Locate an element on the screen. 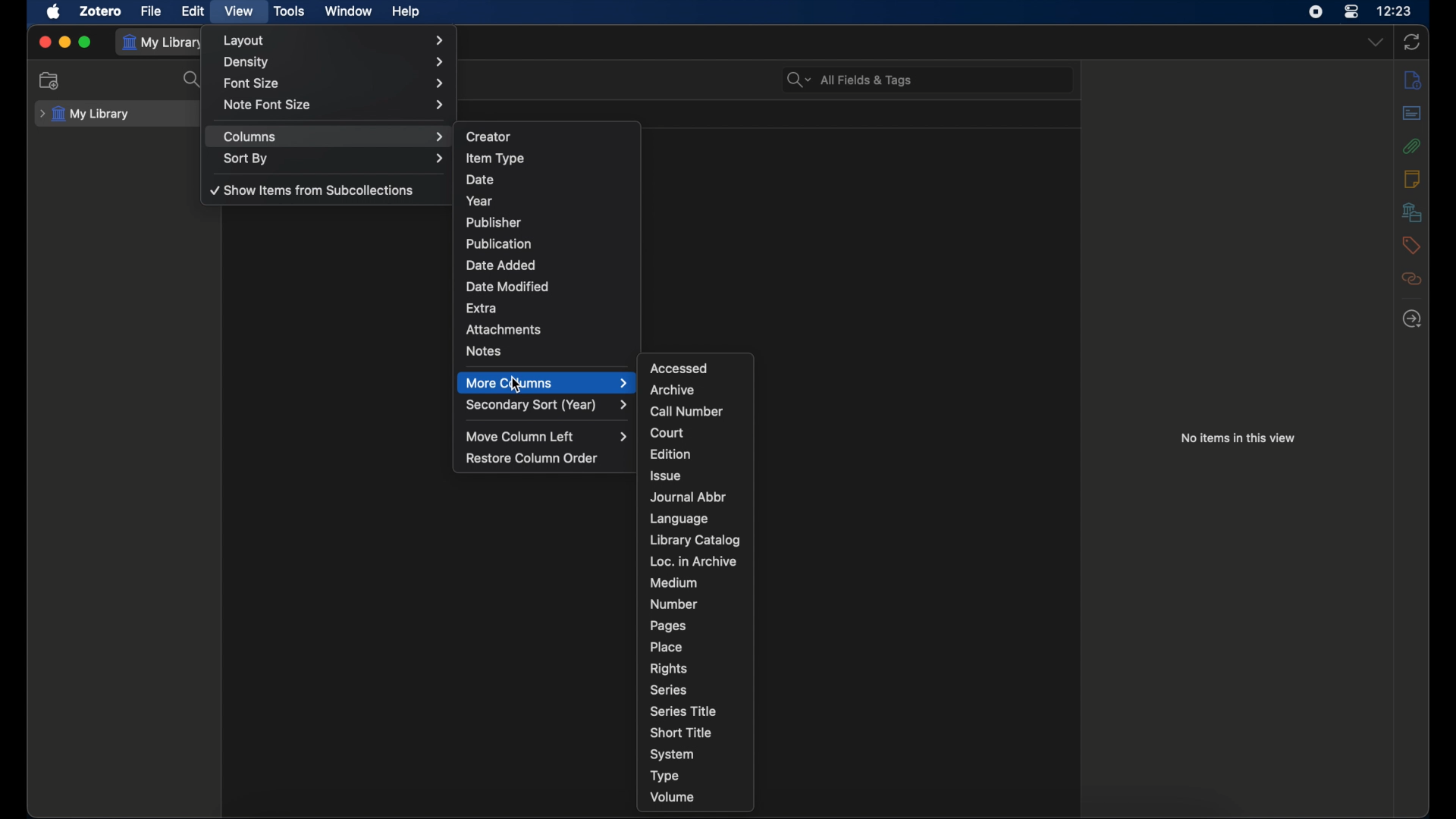 This screenshot has height=819, width=1456. publication is located at coordinates (499, 243).